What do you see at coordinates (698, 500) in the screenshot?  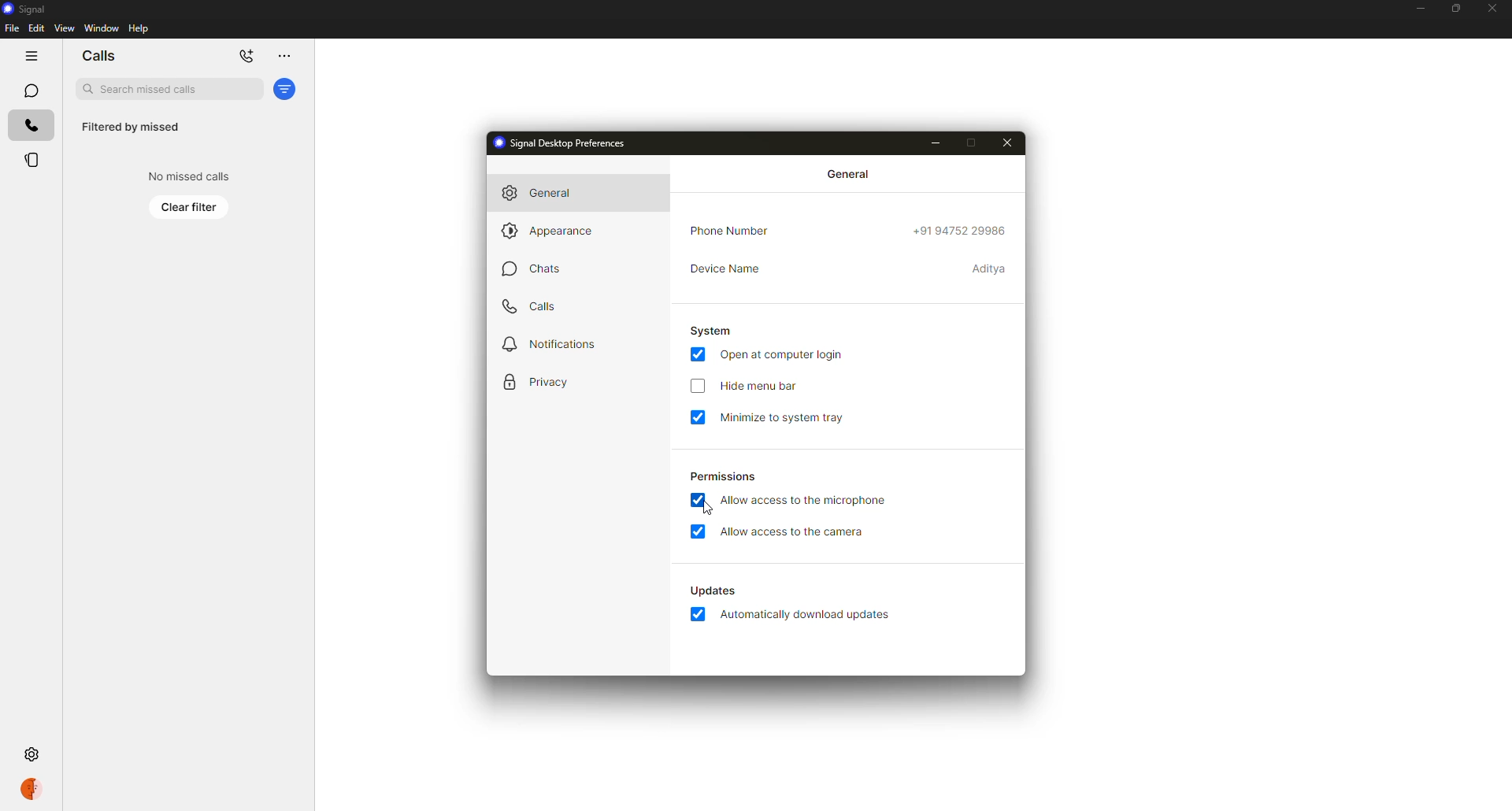 I see `enabled` at bounding box center [698, 500].